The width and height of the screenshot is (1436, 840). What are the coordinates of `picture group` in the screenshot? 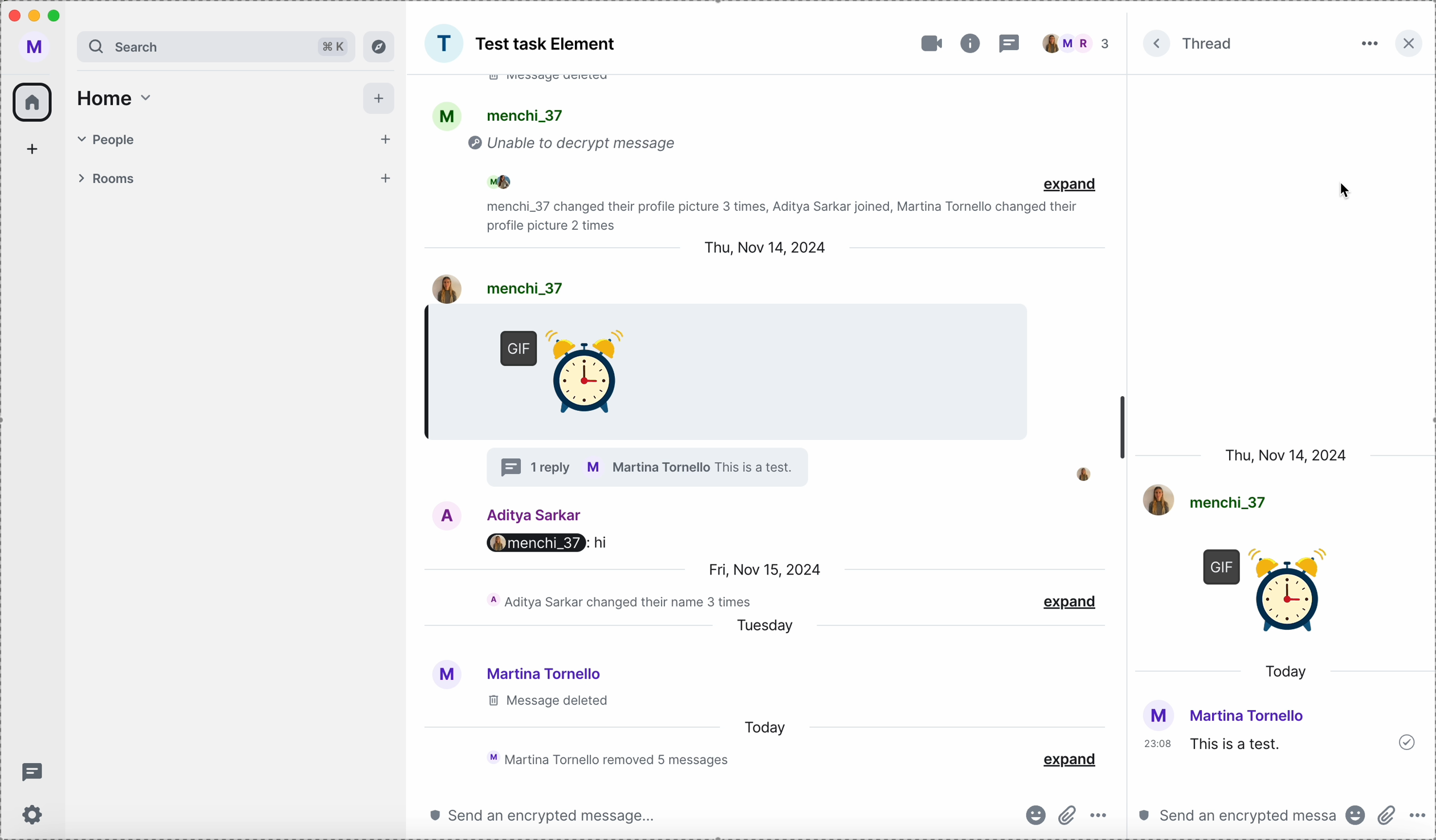 It's located at (443, 43).